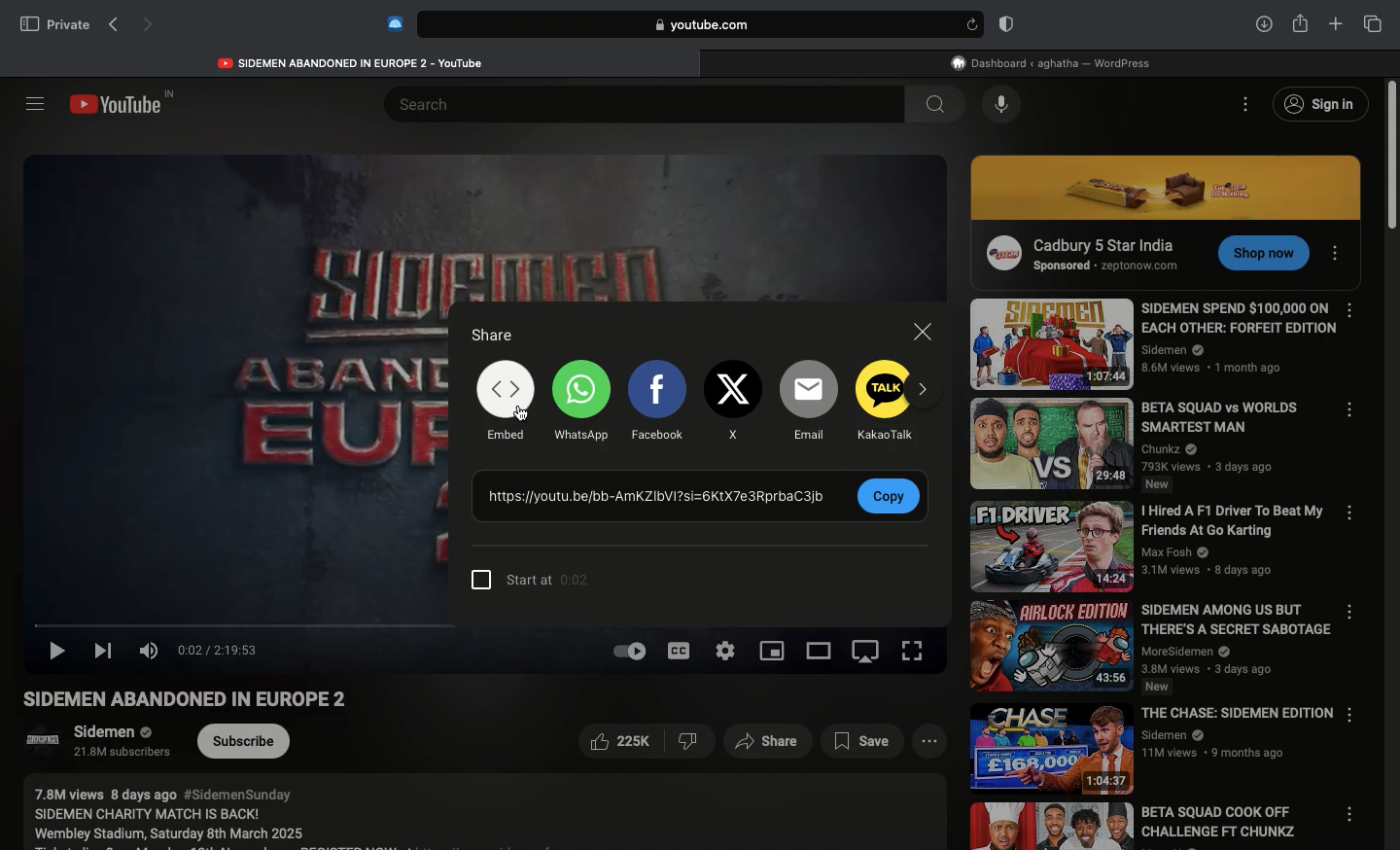  Describe the element at coordinates (1319, 105) in the screenshot. I see `Sign in` at that location.